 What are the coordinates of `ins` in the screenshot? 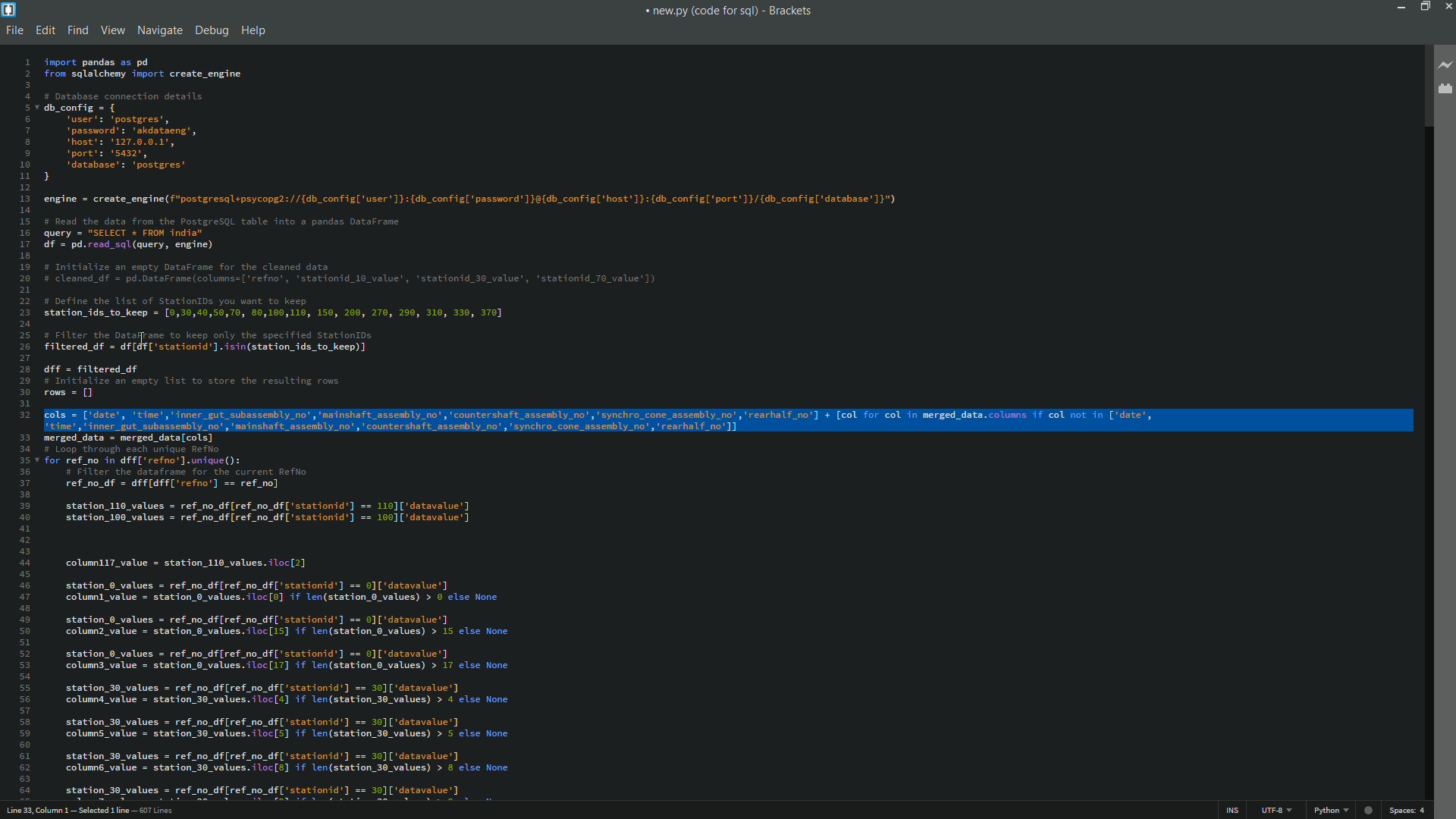 It's located at (1232, 811).